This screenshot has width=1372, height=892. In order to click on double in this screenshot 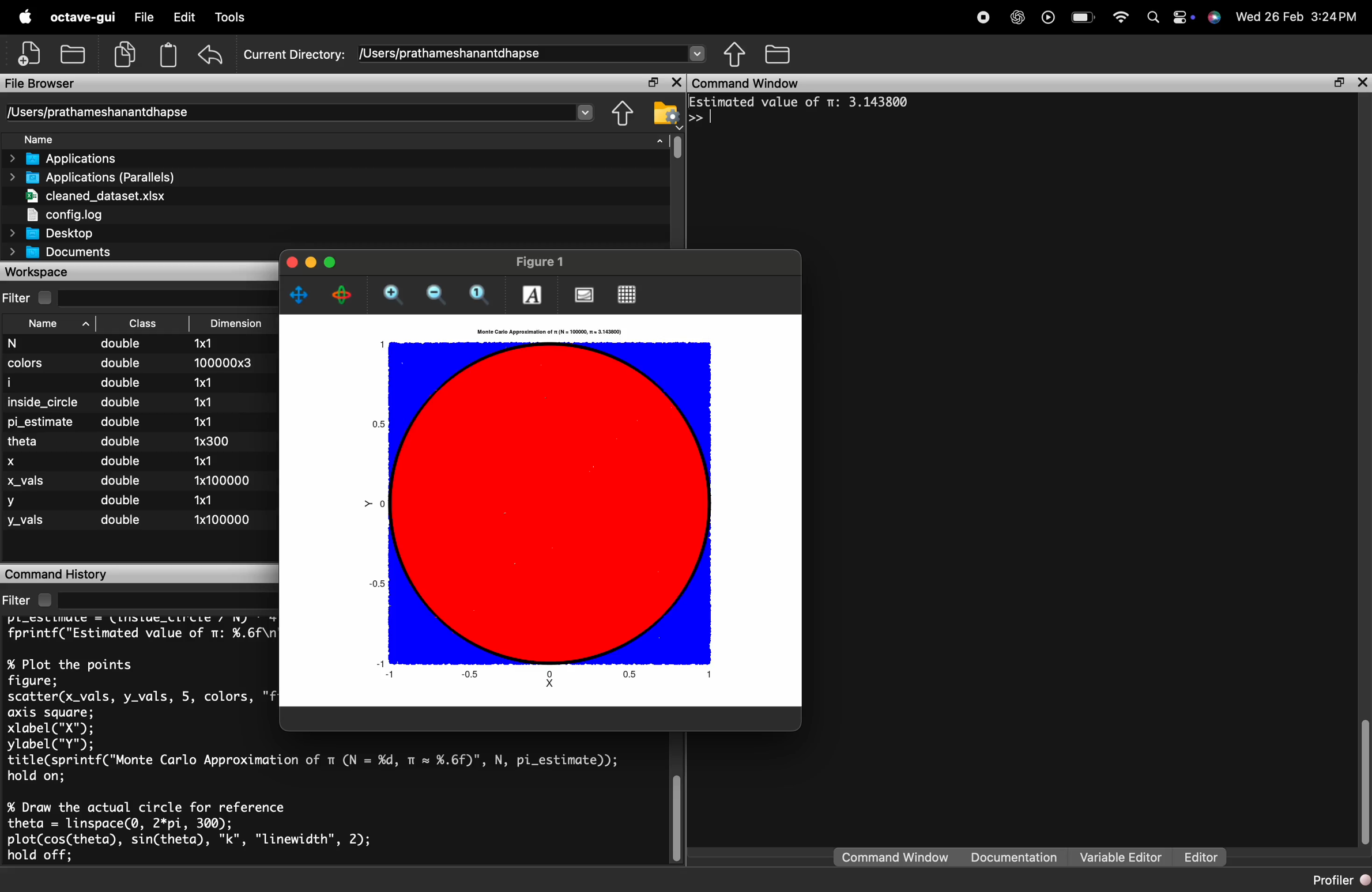, I will do `click(121, 344)`.